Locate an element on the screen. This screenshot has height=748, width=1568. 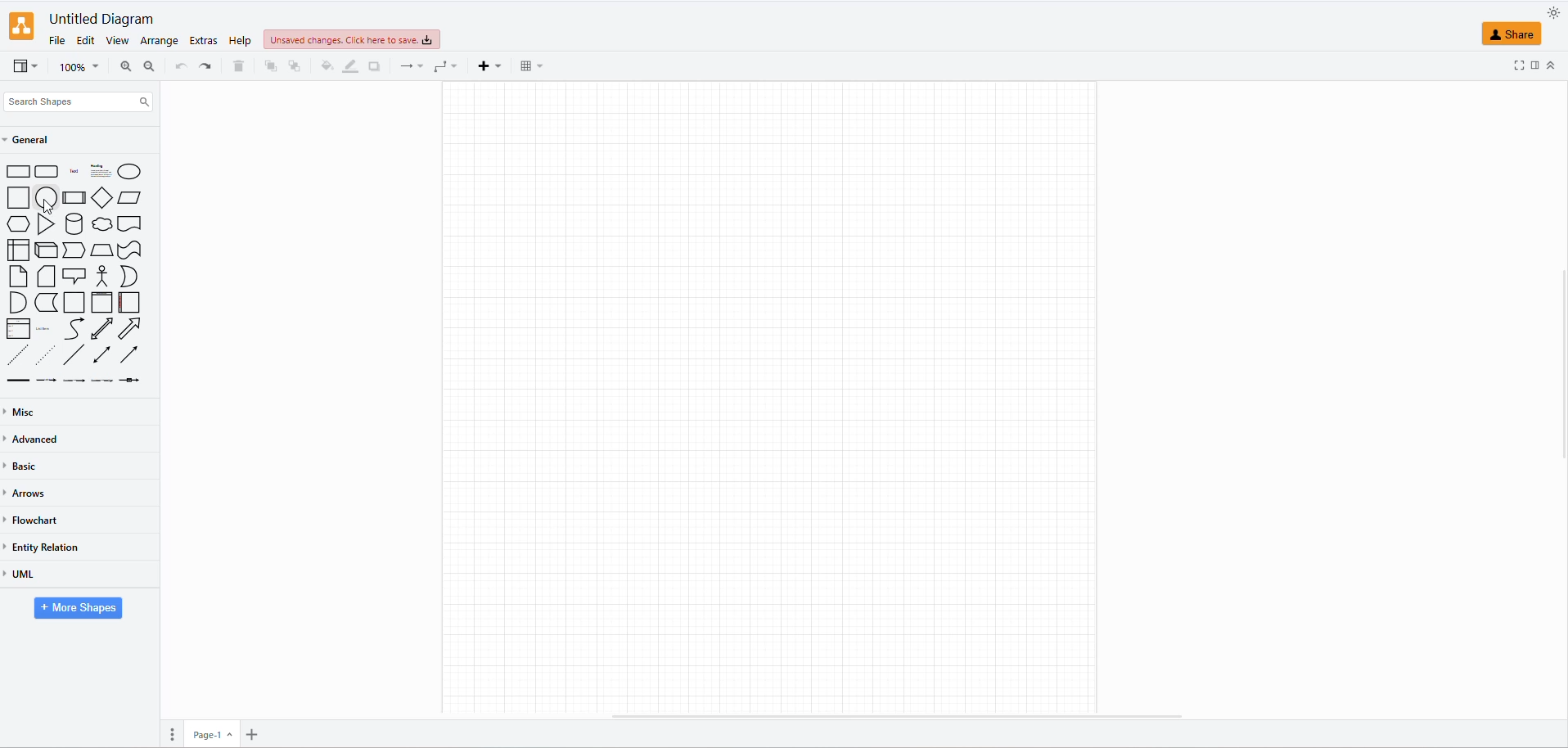
BASIC is located at coordinates (25, 465).